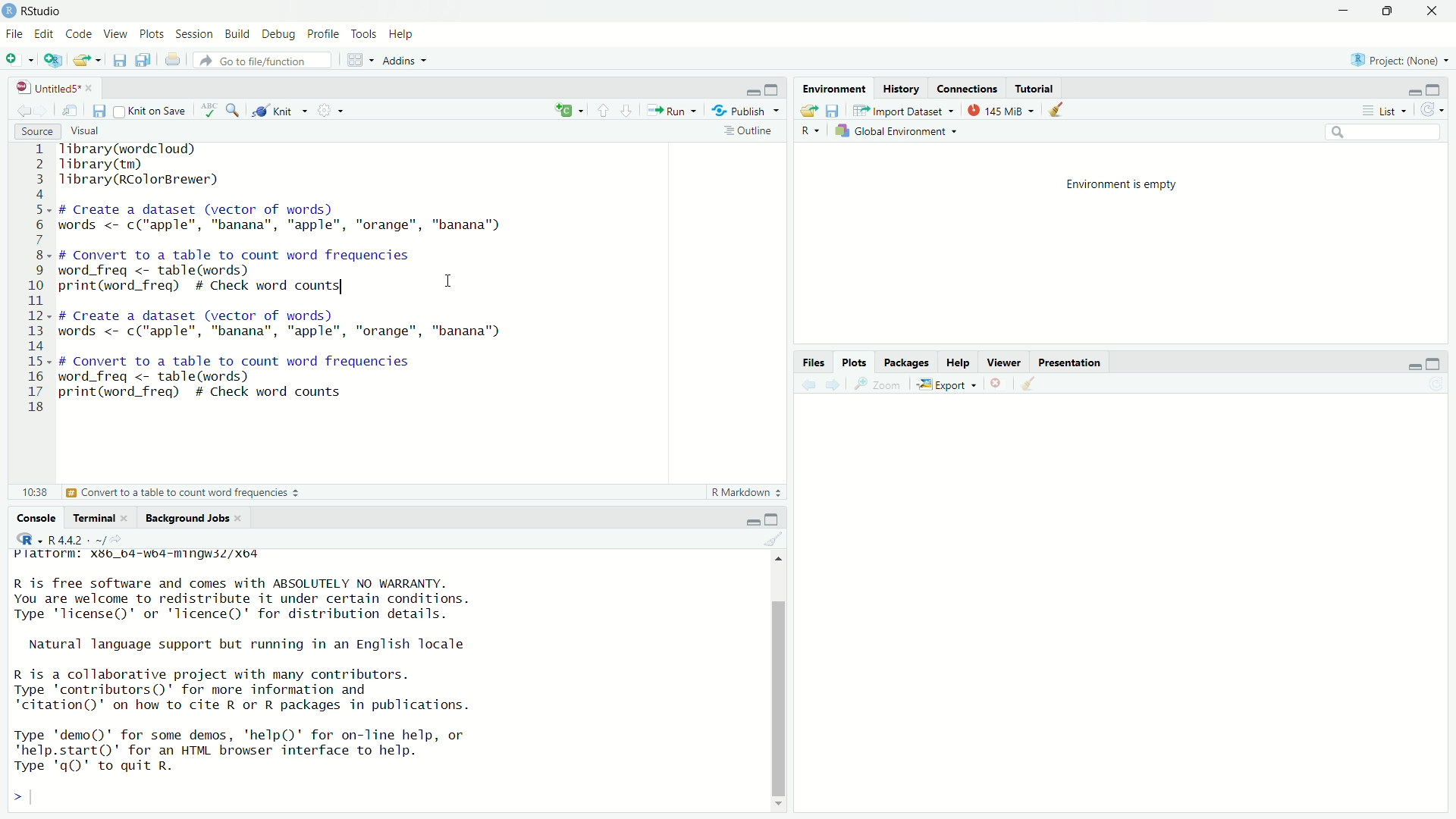  Describe the element at coordinates (1059, 111) in the screenshot. I see `Clear console` at that location.